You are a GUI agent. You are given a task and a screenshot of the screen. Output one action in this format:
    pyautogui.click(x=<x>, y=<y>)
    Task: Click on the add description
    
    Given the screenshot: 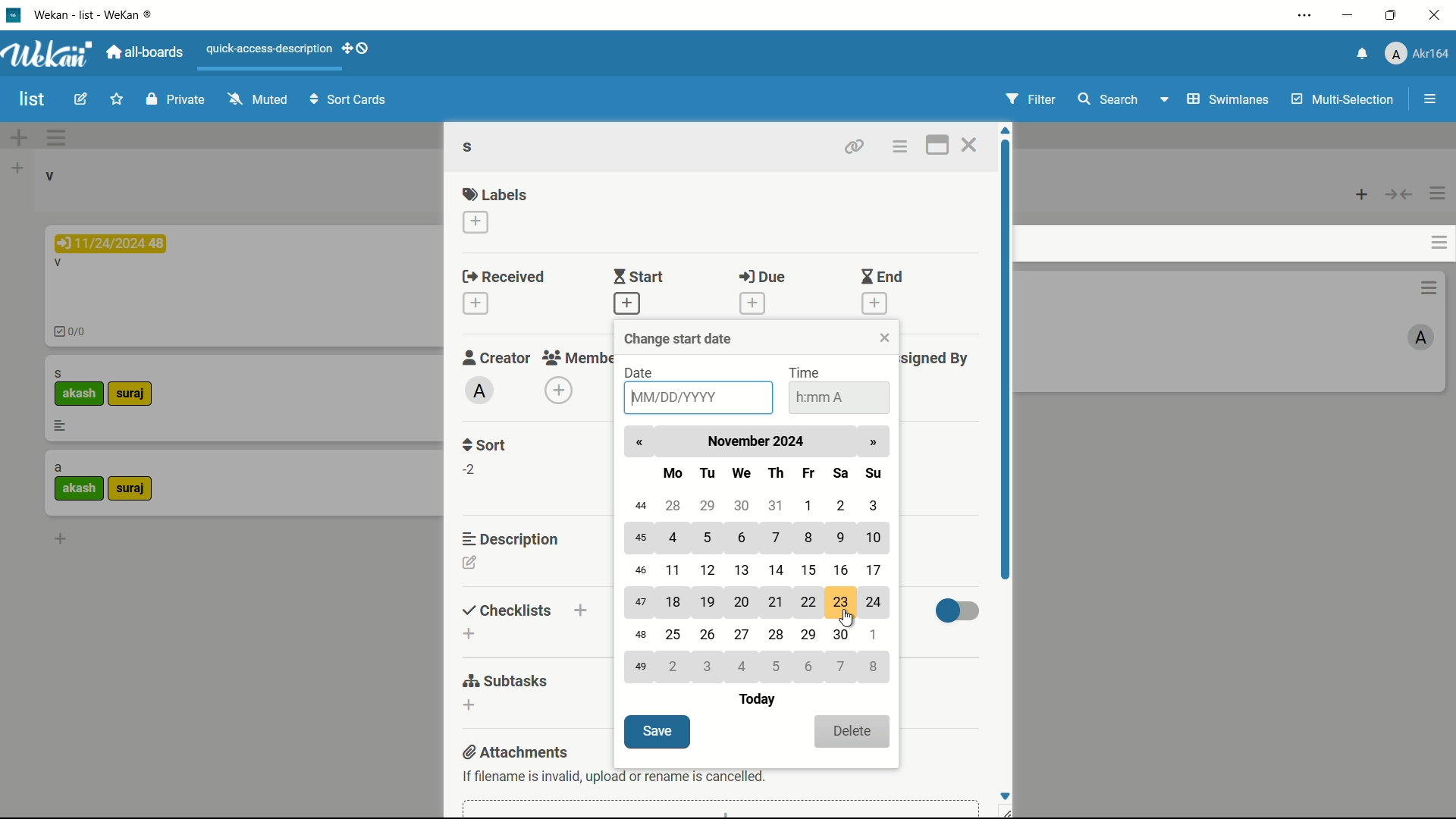 What is the action you would take?
    pyautogui.click(x=469, y=563)
    